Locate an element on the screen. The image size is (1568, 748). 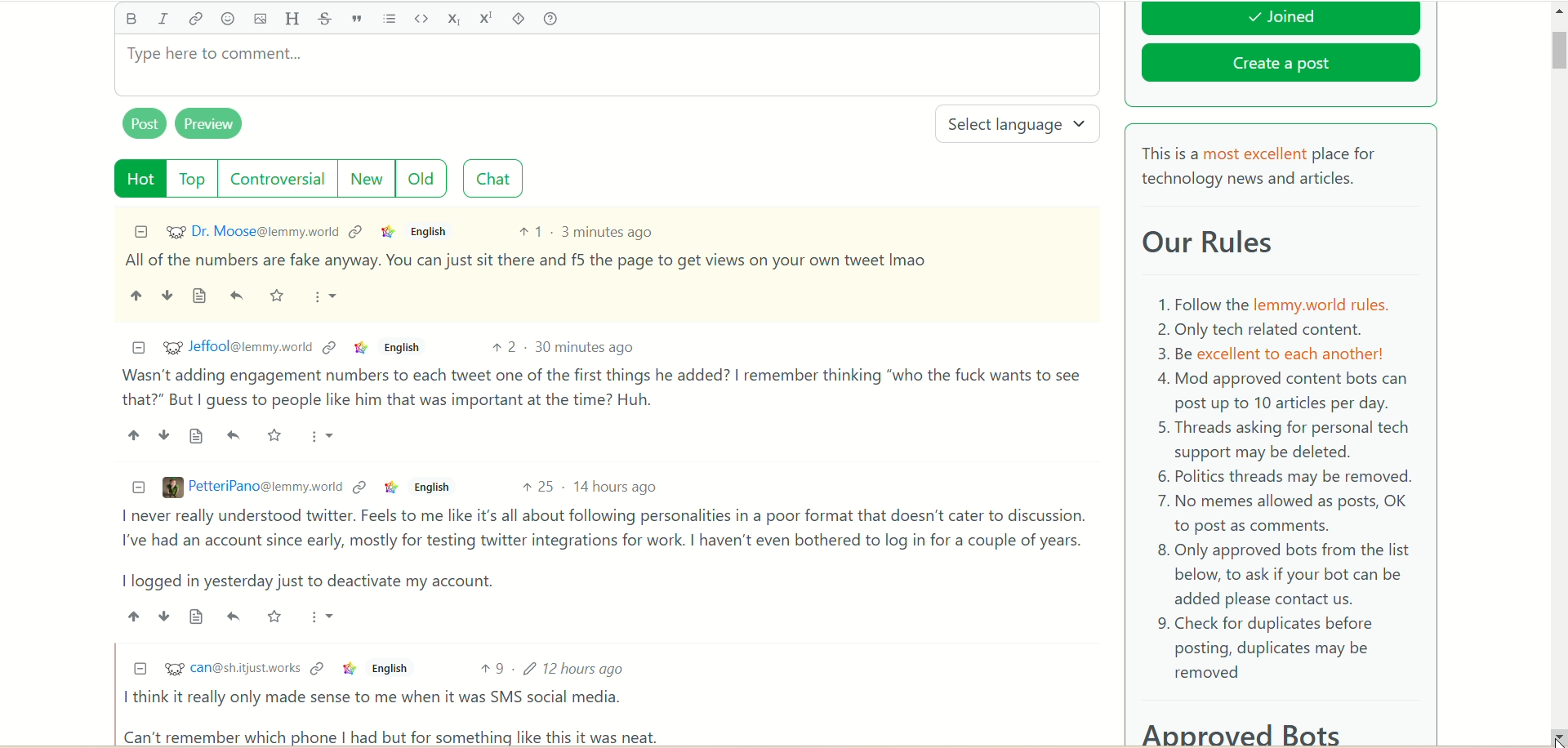
More is located at coordinates (325, 435).